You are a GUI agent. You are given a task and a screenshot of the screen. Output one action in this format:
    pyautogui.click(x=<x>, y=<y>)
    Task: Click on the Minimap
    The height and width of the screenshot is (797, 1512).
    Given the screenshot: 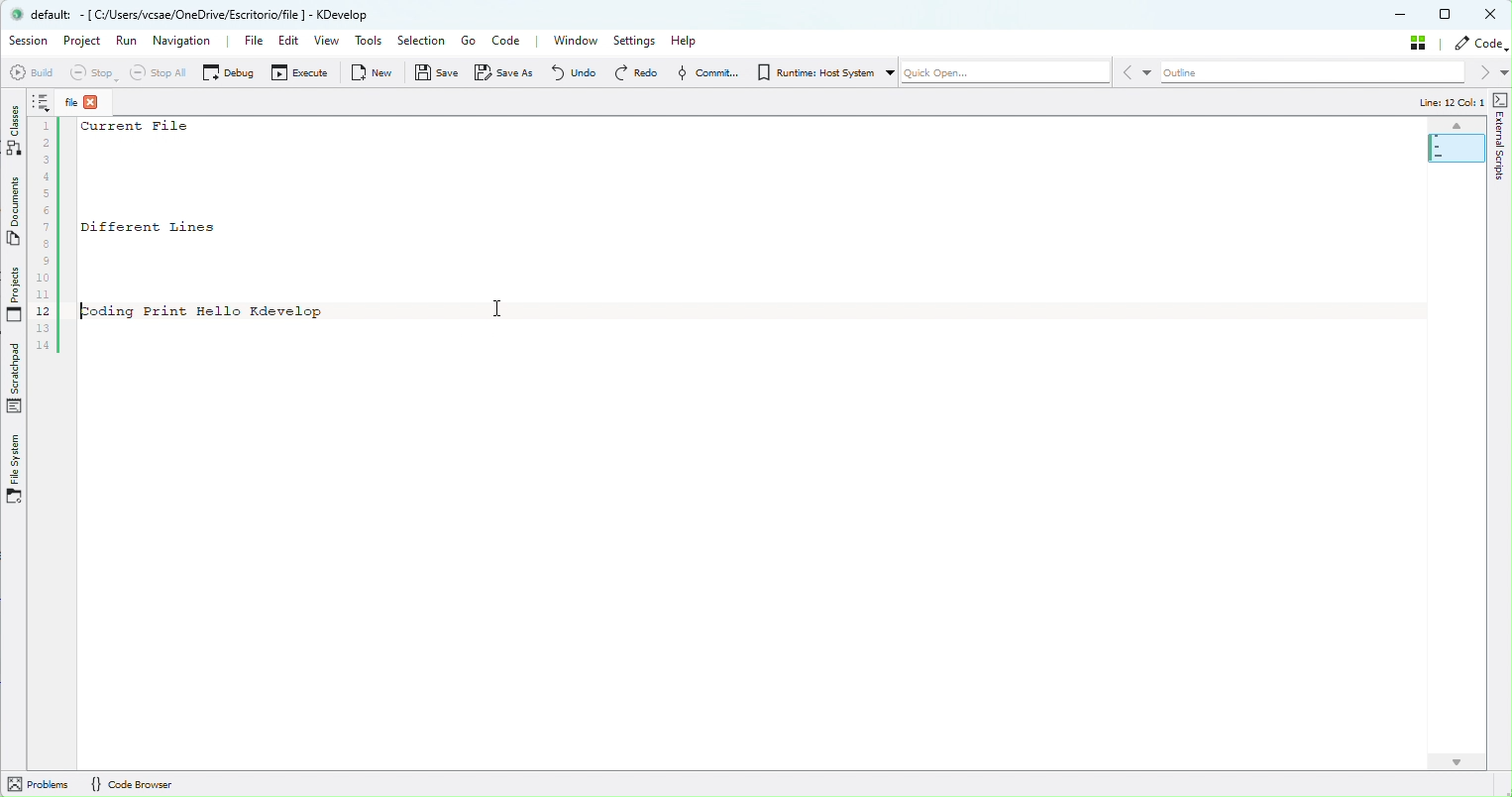 What is the action you would take?
    pyautogui.click(x=1455, y=141)
    